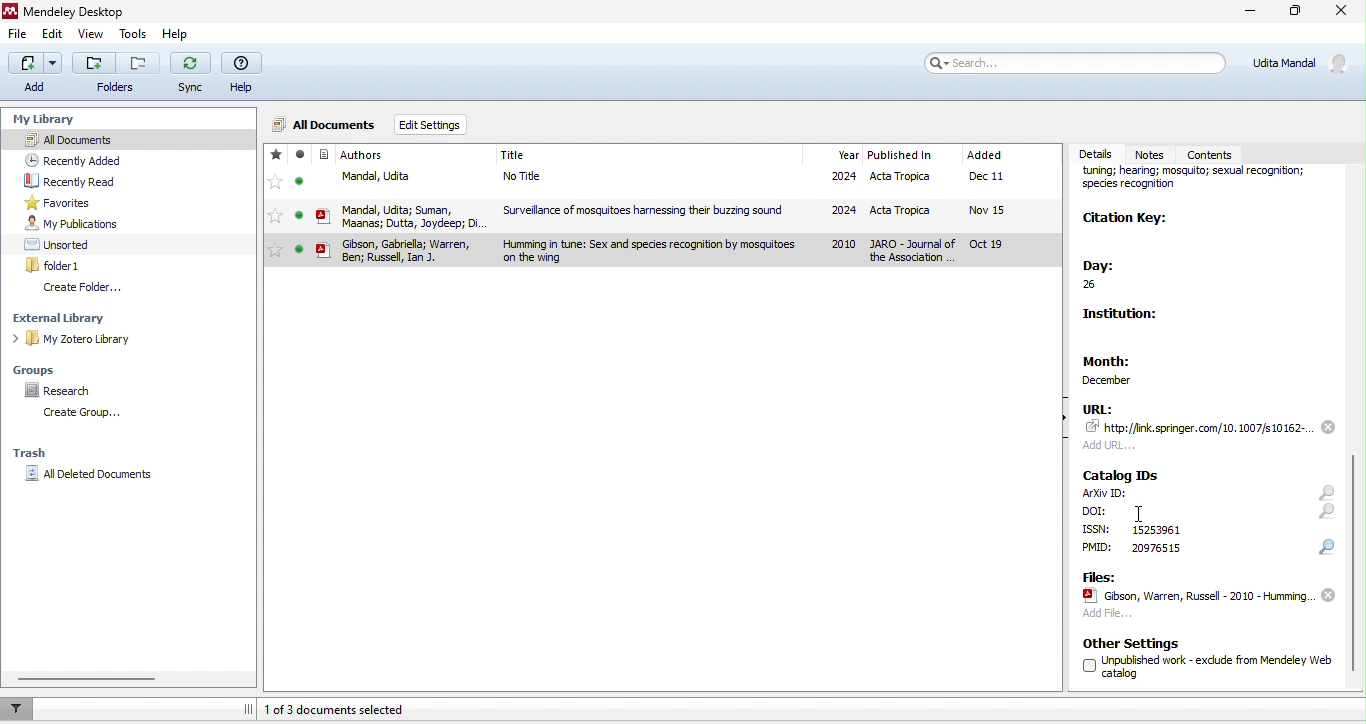  What do you see at coordinates (1153, 154) in the screenshot?
I see `notes` at bounding box center [1153, 154].